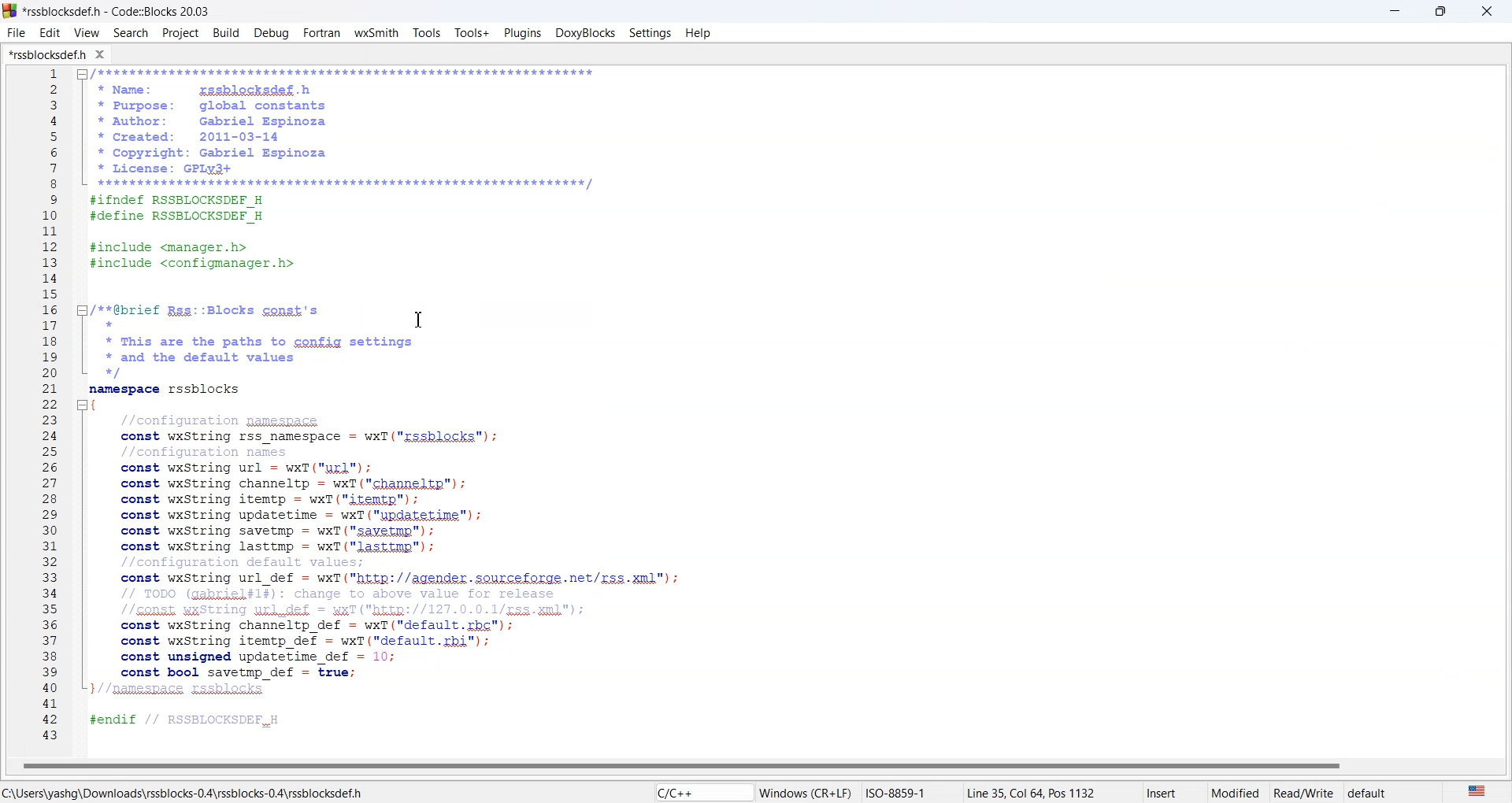 The width and height of the screenshot is (1512, 803). I want to click on insert, so click(1174, 791).